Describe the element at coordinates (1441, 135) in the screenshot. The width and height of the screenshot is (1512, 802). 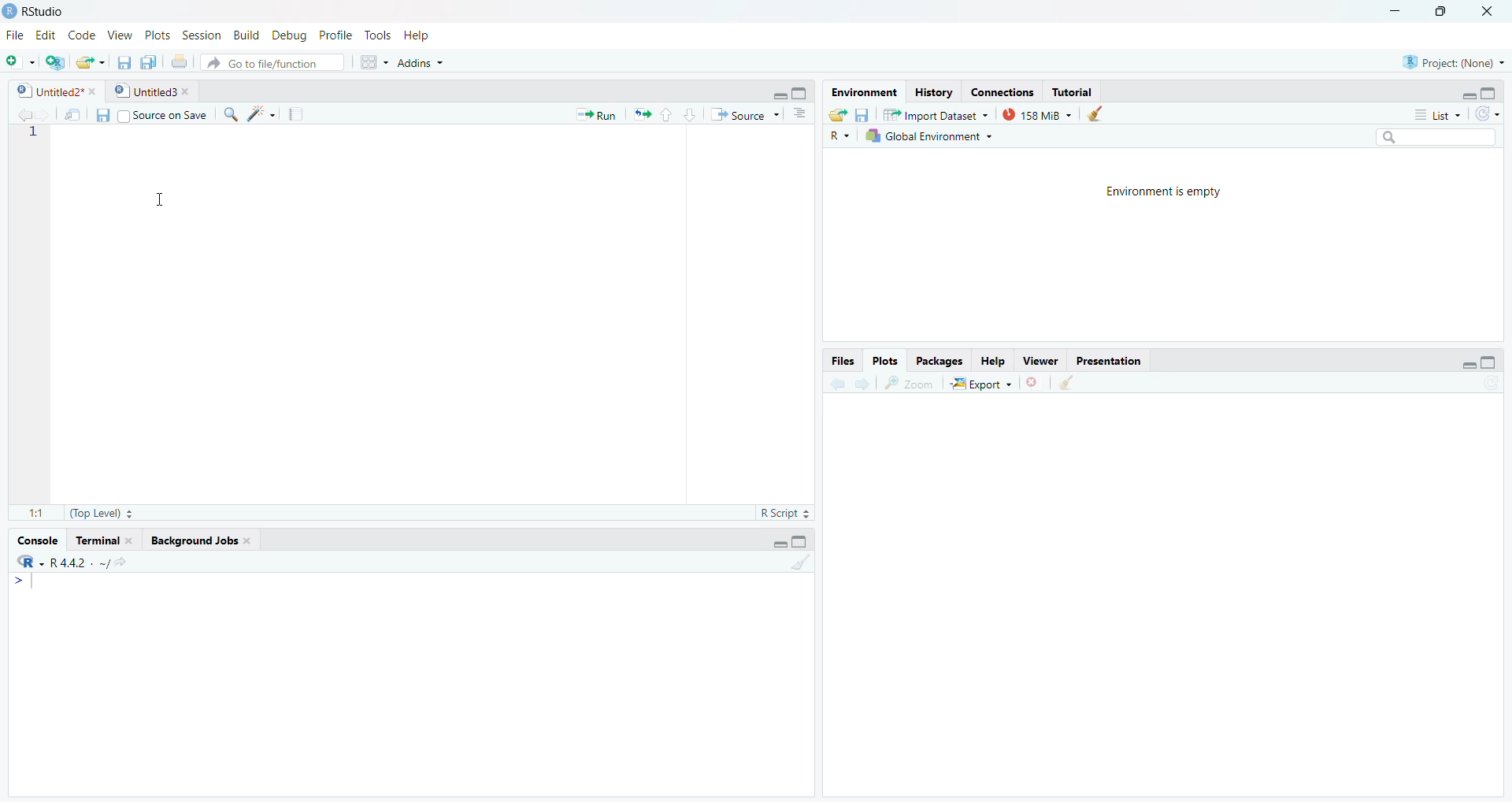
I see `Search` at that location.